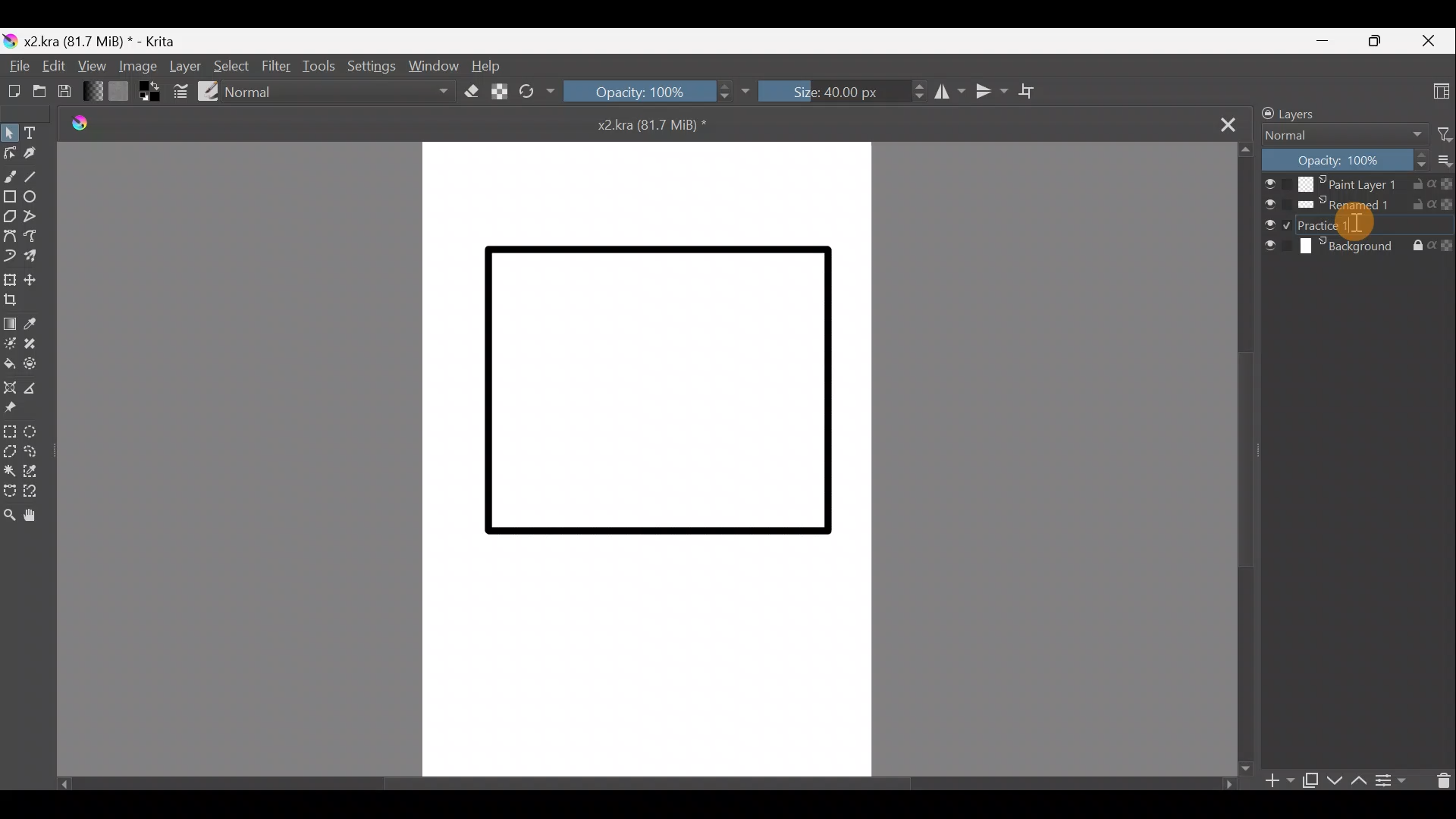  Describe the element at coordinates (9, 449) in the screenshot. I see `Polygonal selection tool` at that location.